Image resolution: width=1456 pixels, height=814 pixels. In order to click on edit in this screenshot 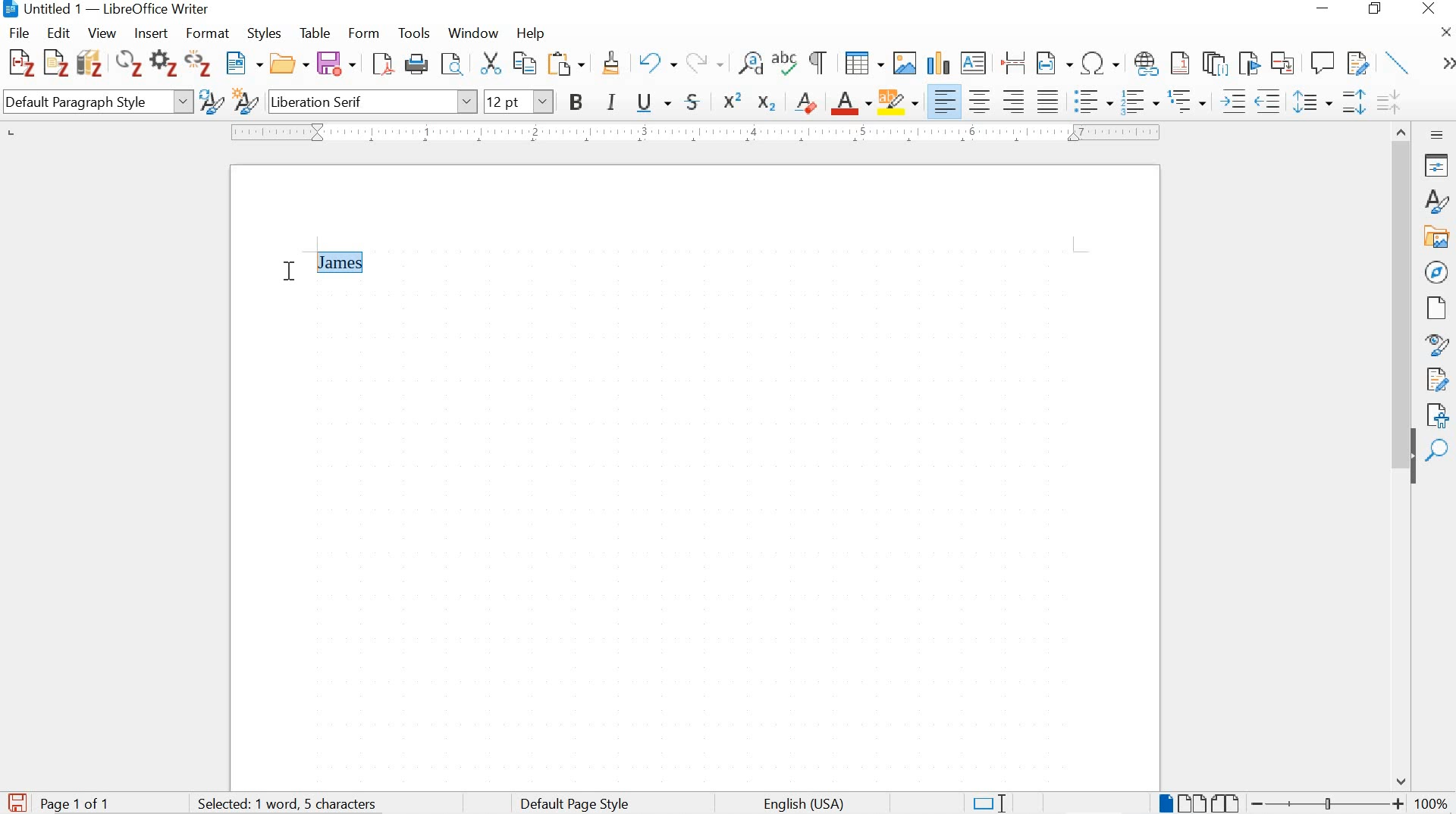, I will do `click(58, 33)`.